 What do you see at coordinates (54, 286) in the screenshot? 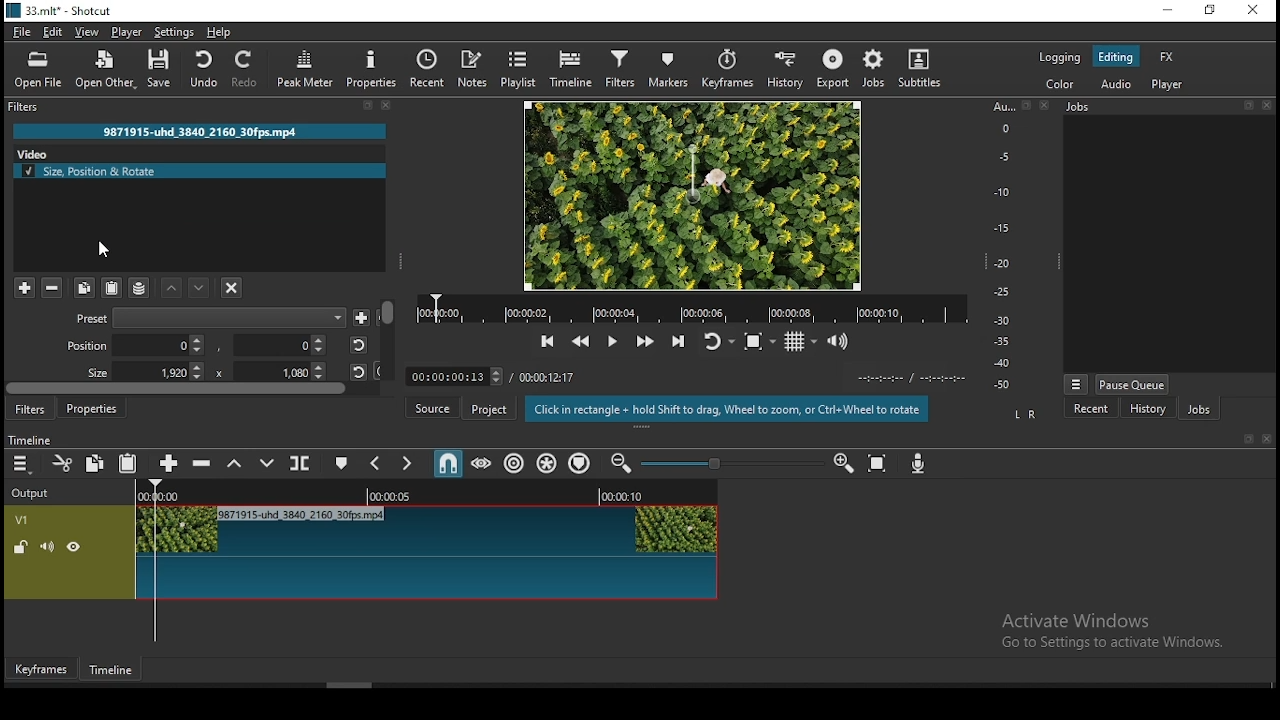
I see `remove selected filters` at bounding box center [54, 286].